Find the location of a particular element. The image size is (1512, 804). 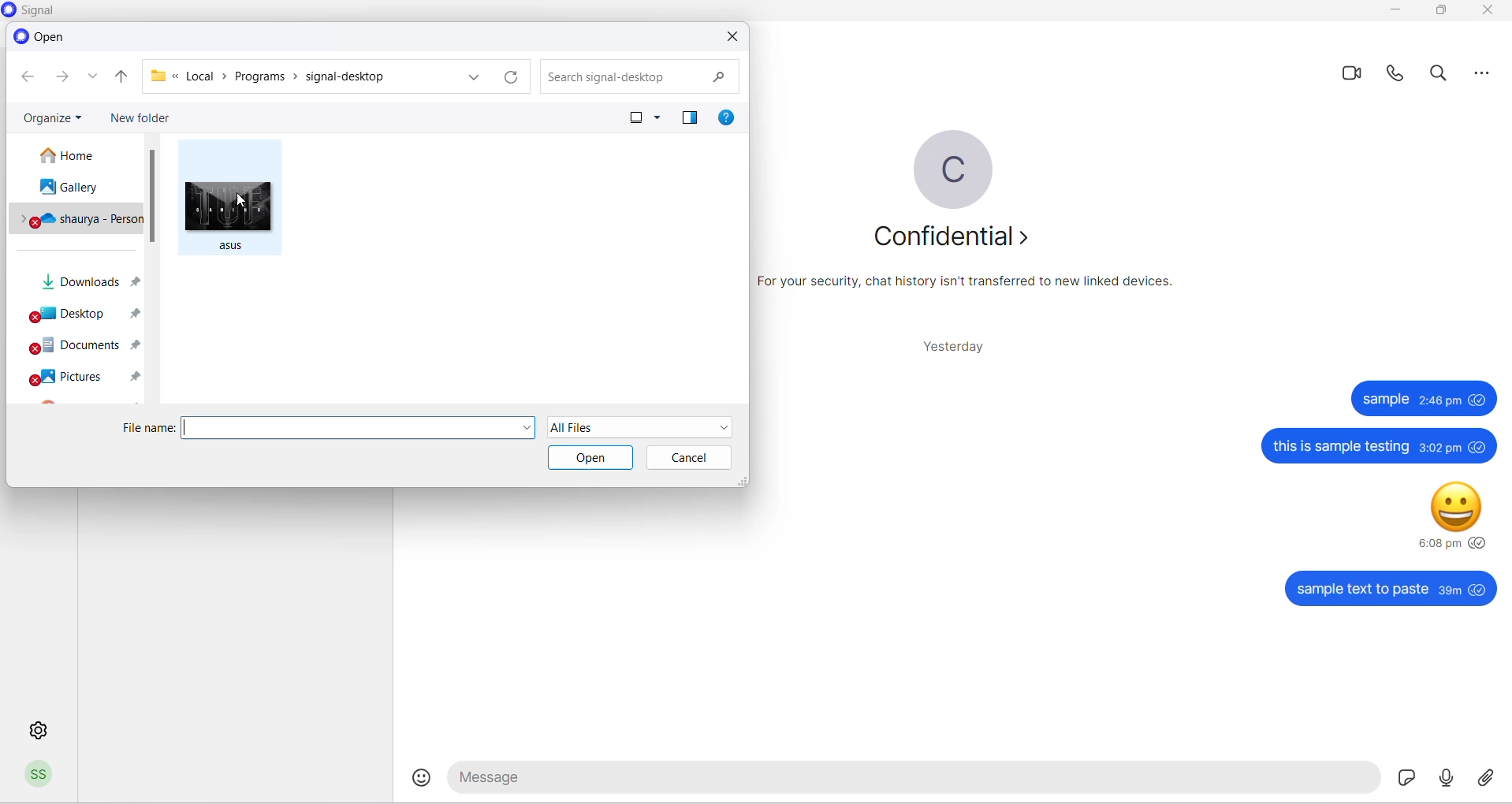

emojis is located at coordinates (423, 778).